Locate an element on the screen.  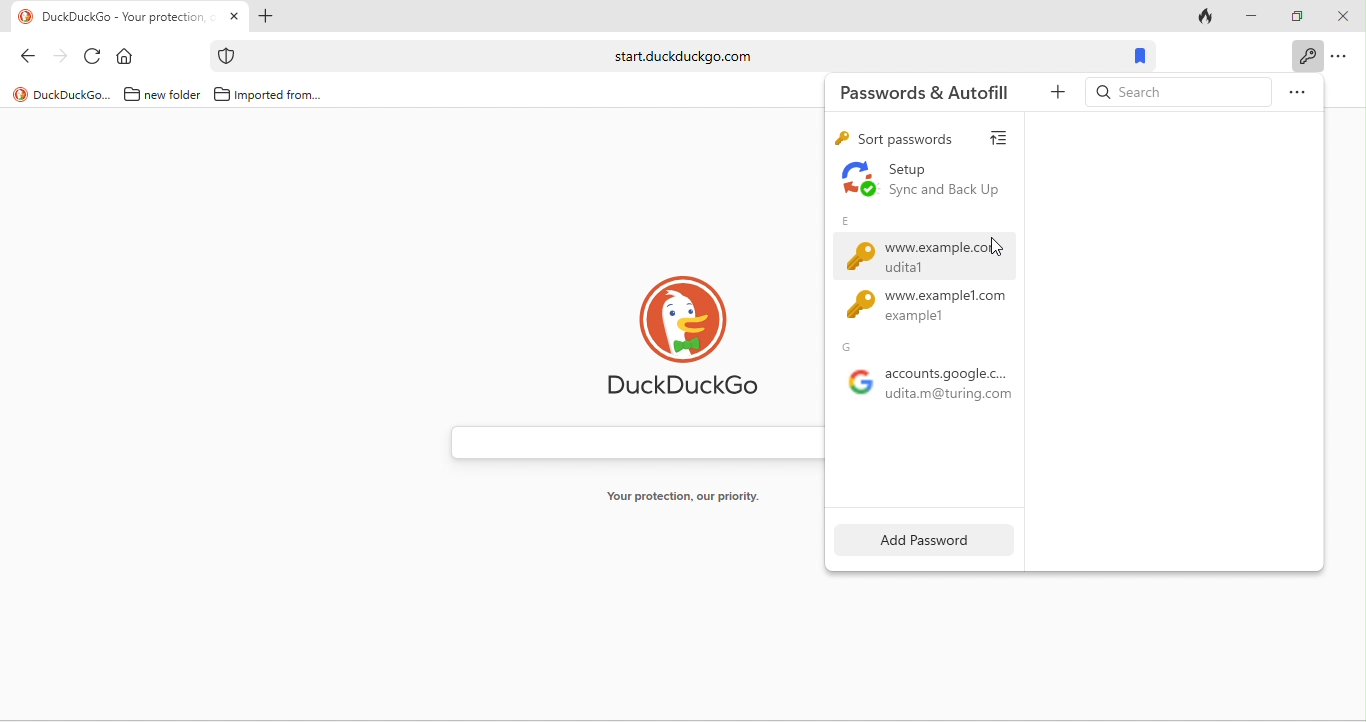
add new tab is located at coordinates (265, 18).